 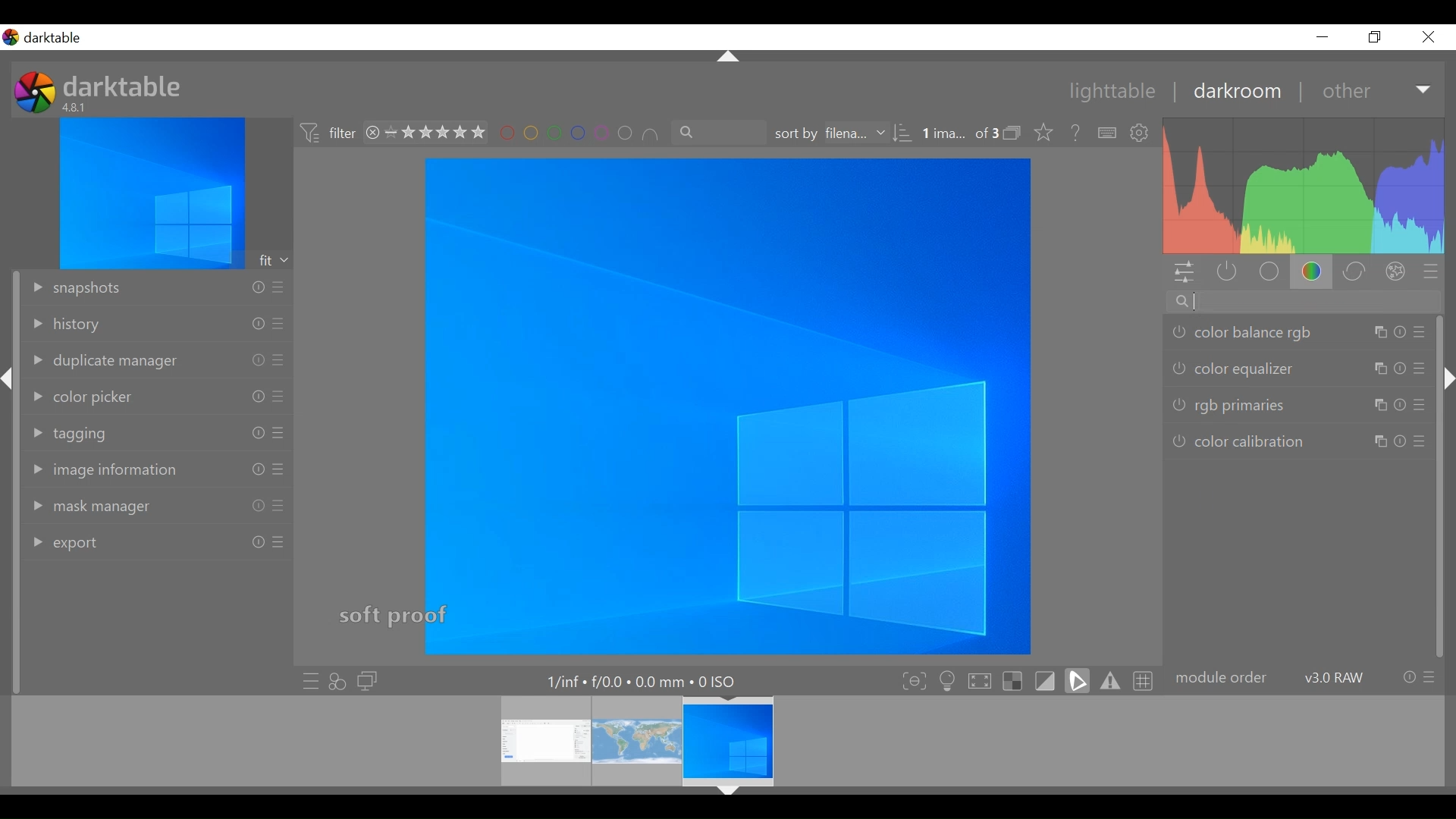 I want to click on filter by color label, so click(x=577, y=133).